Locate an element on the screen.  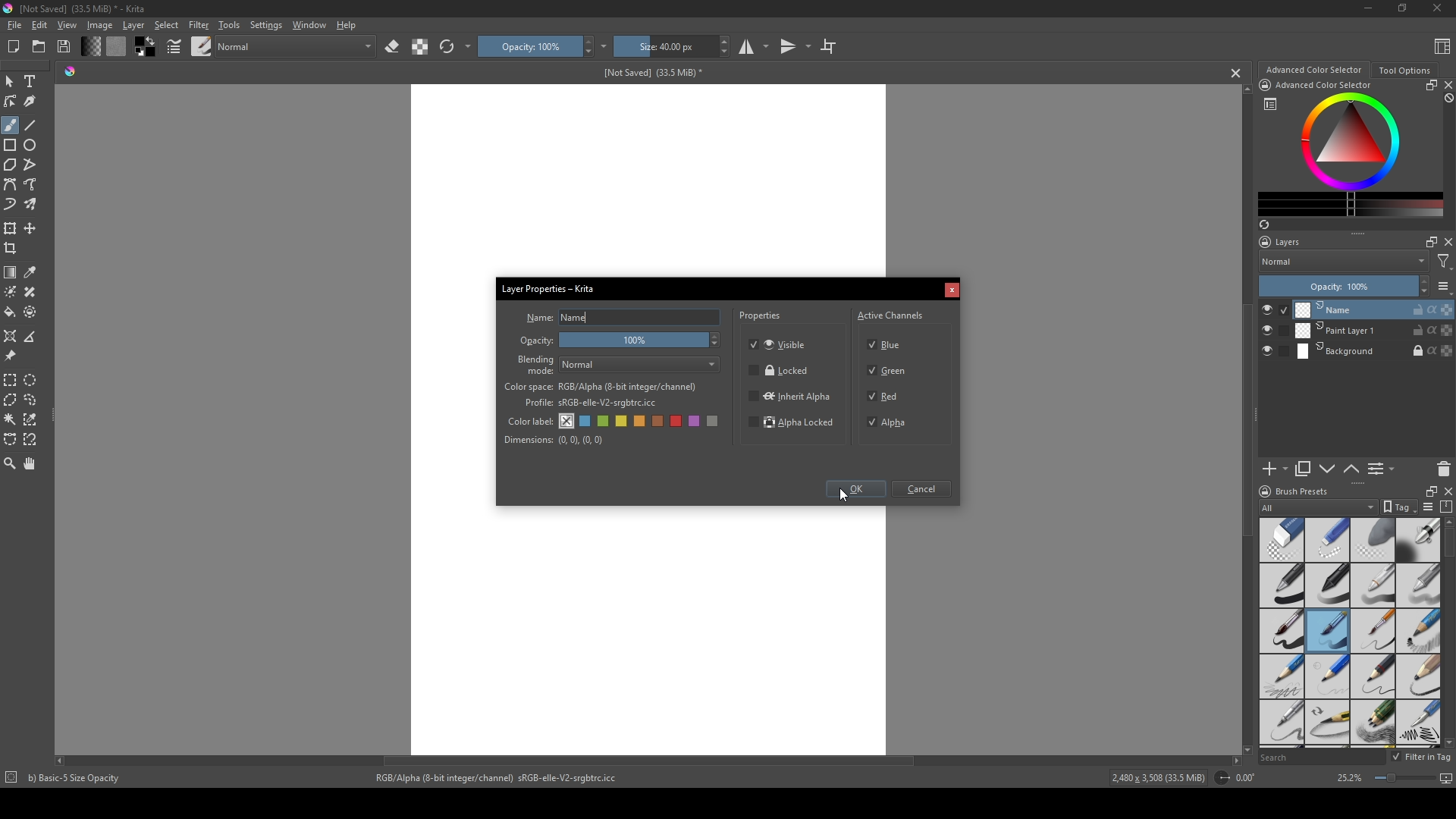
icon is located at coordinates (10, 779).